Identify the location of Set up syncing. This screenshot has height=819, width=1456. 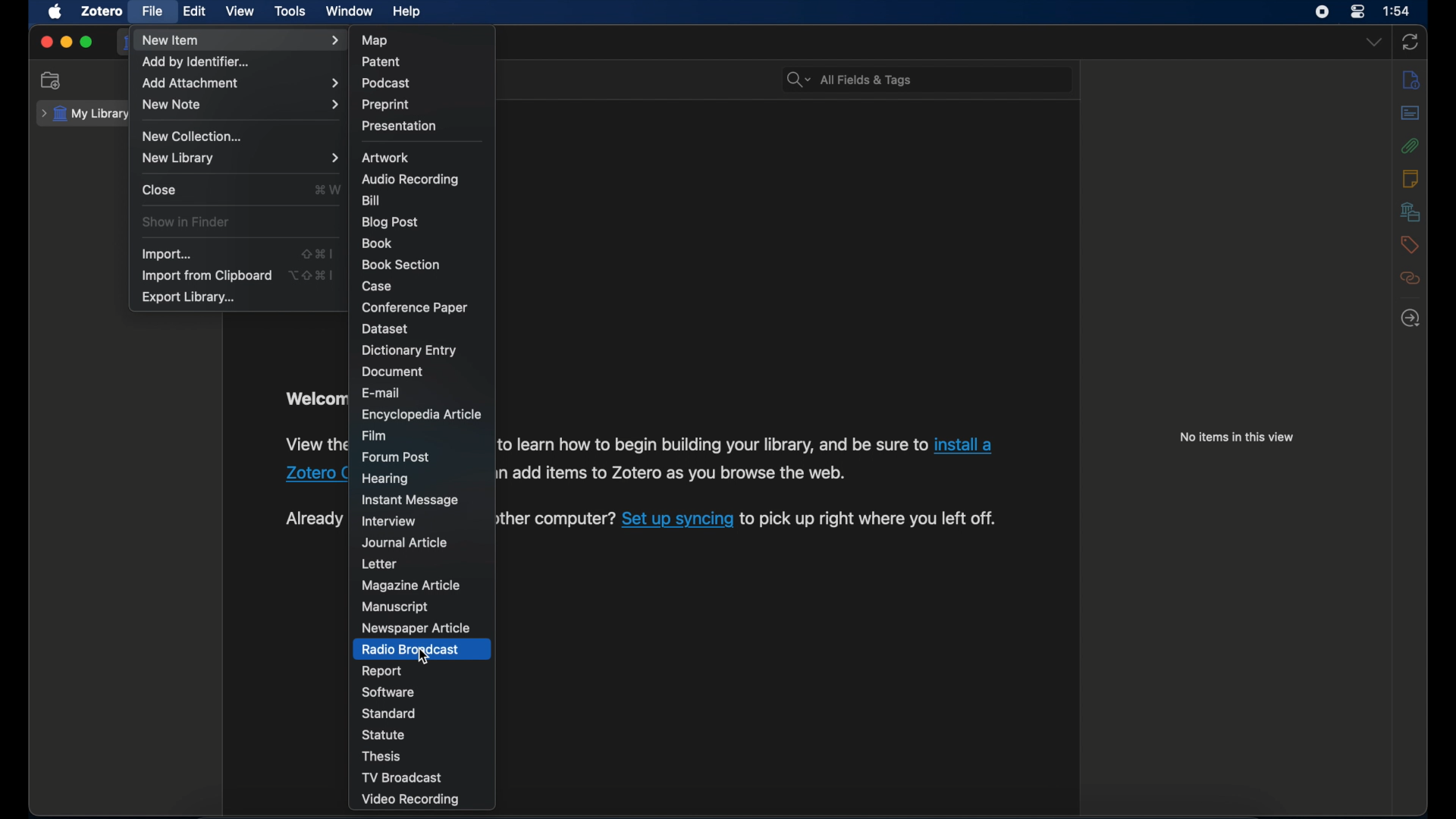
(677, 519).